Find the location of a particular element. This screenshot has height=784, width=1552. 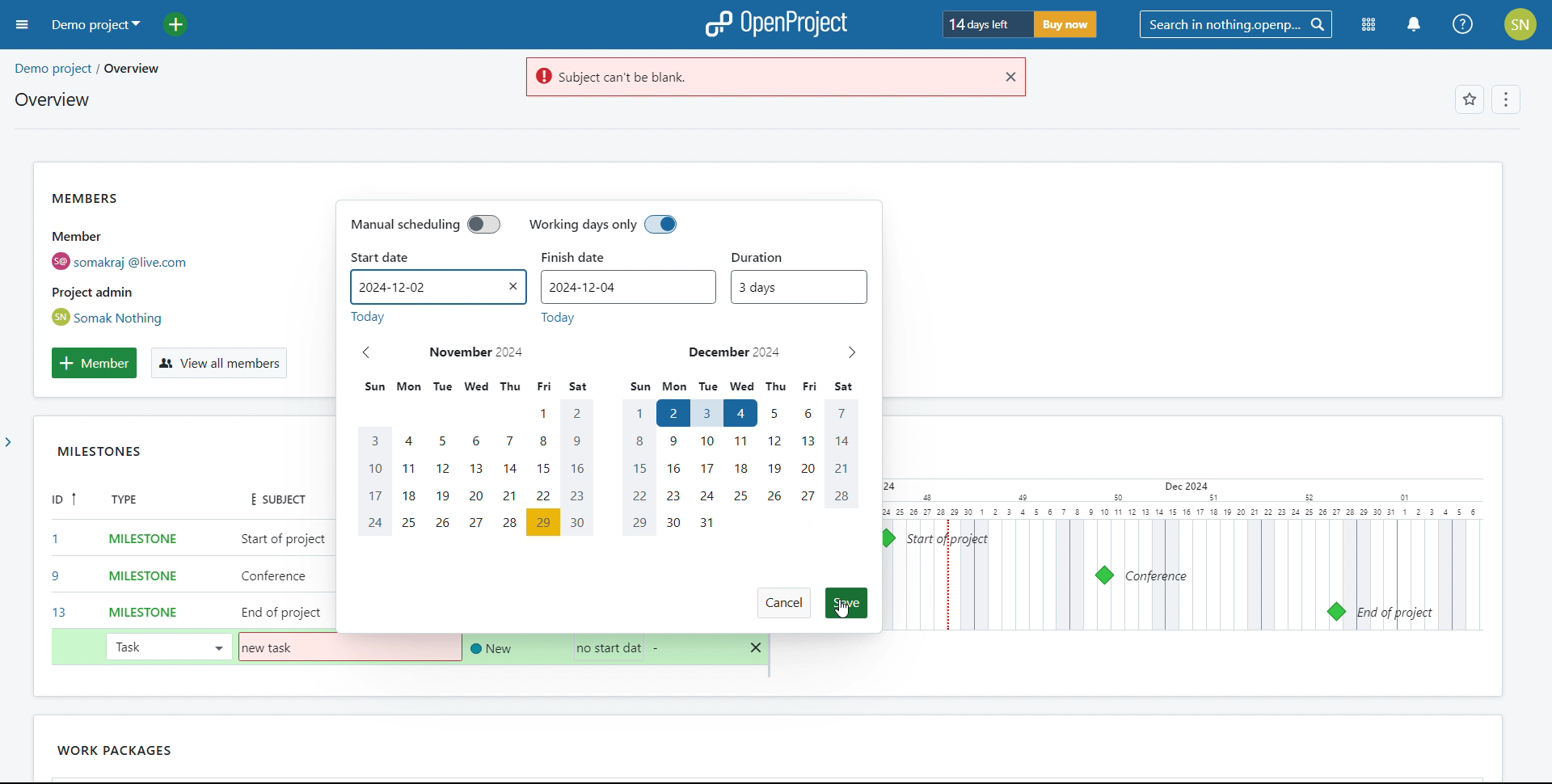

MILESTONES is located at coordinates (124, 455).